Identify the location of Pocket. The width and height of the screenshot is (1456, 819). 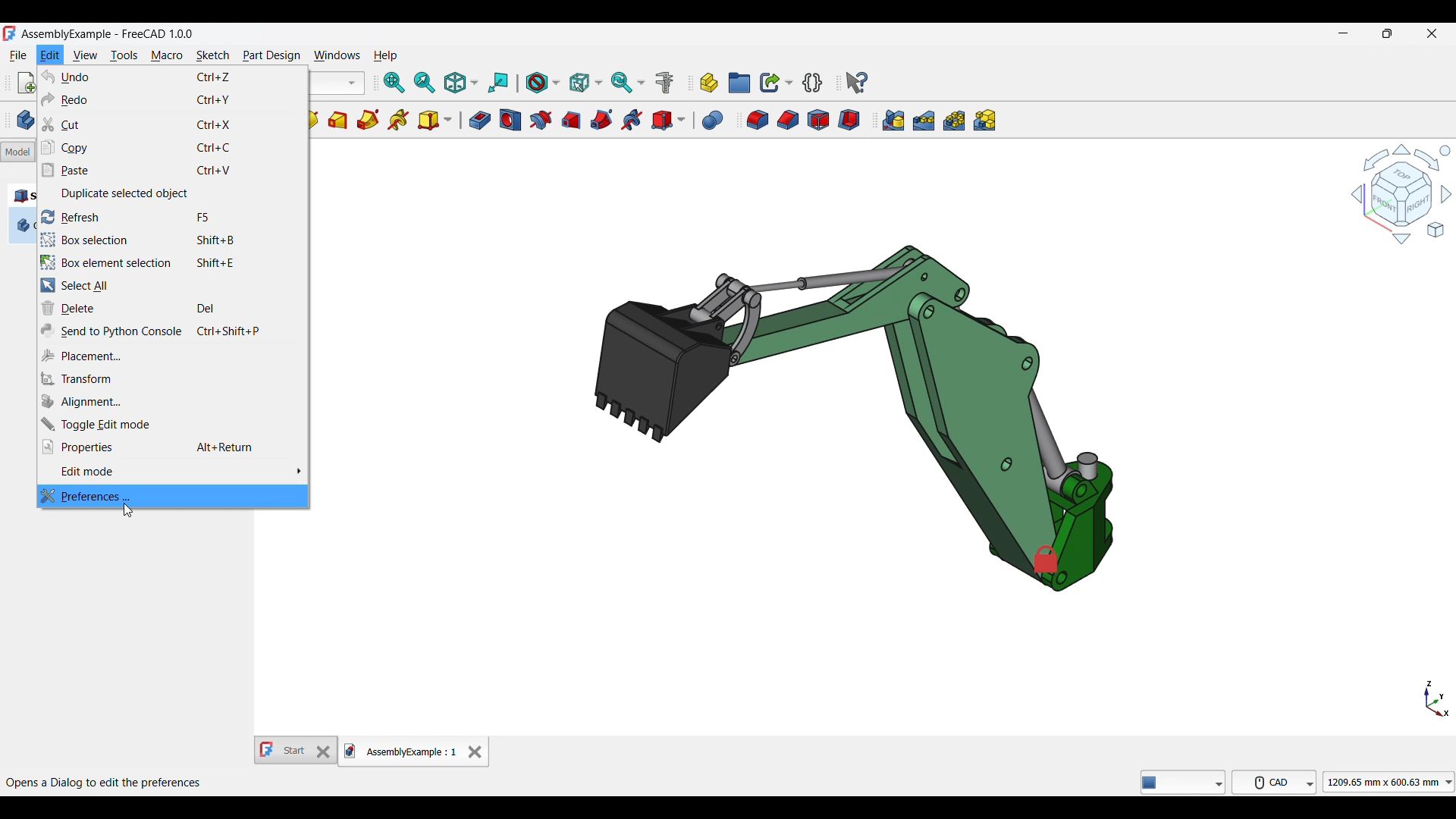
(480, 120).